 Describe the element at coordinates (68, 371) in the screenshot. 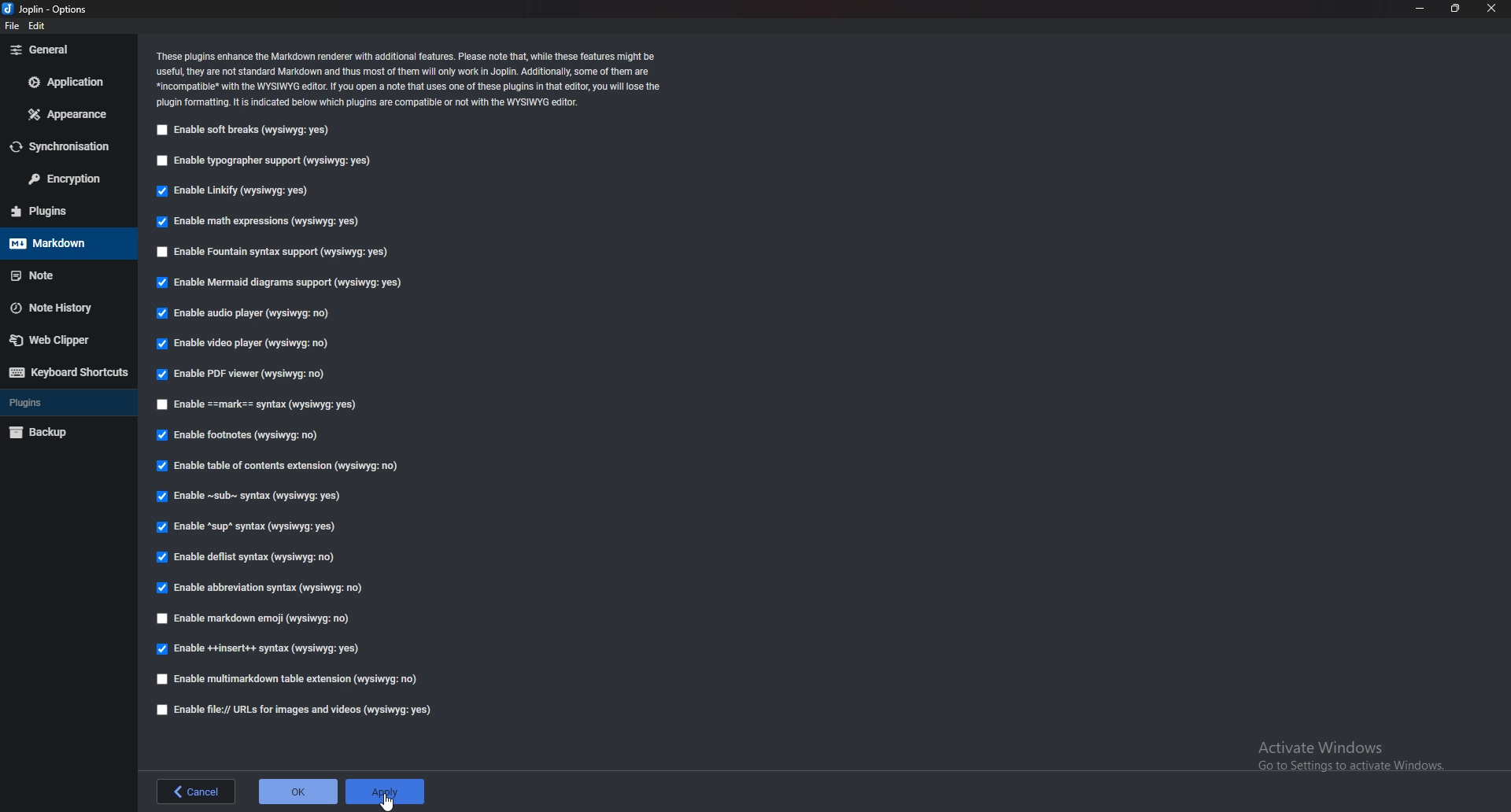

I see `keyboard shortcuts` at that location.